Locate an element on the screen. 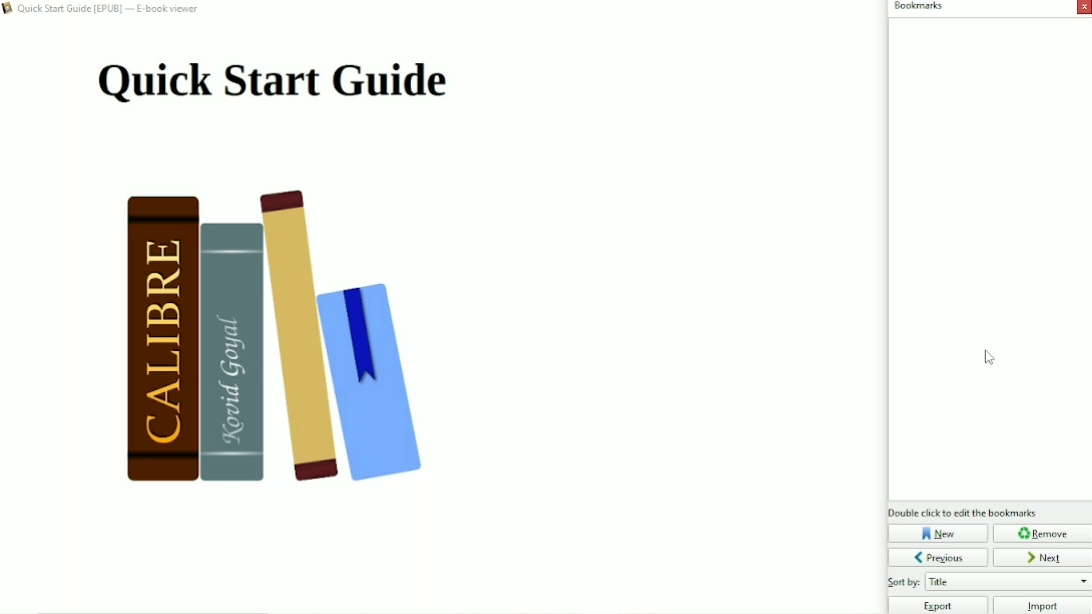 The height and width of the screenshot is (614, 1092). Book is located at coordinates (290, 343).